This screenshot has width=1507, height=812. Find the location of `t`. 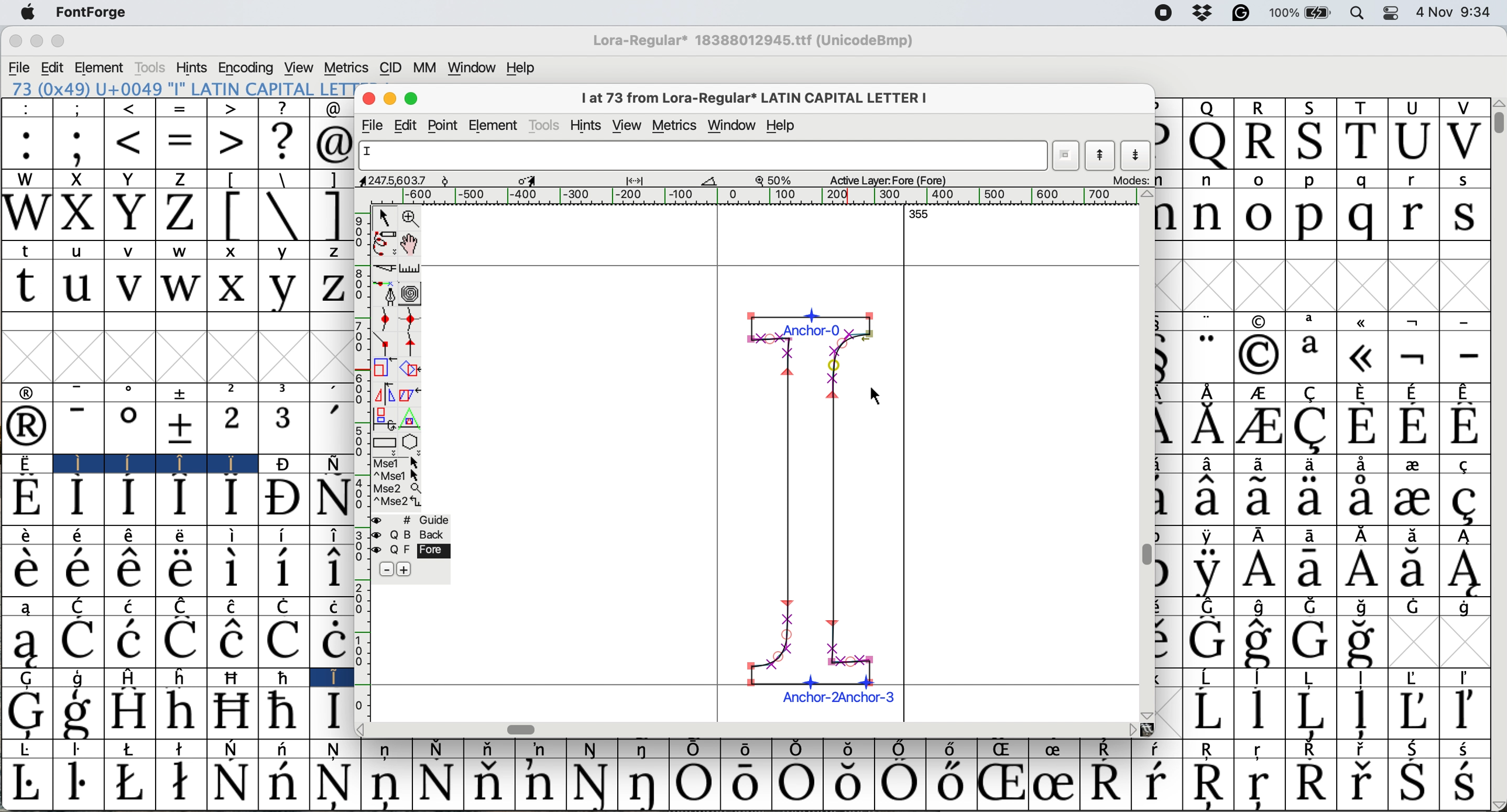

t is located at coordinates (29, 249).